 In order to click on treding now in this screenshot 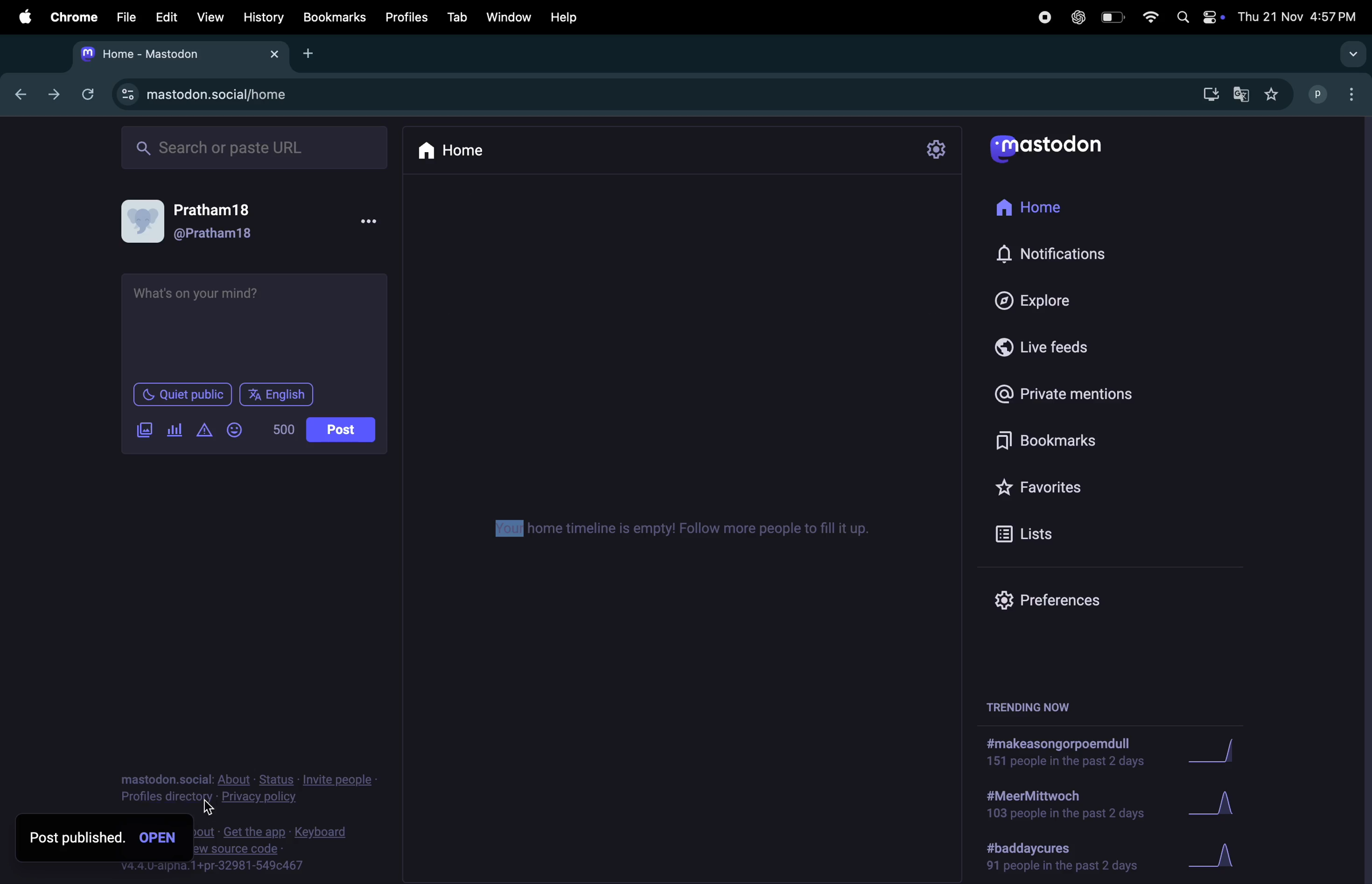, I will do `click(1030, 707)`.